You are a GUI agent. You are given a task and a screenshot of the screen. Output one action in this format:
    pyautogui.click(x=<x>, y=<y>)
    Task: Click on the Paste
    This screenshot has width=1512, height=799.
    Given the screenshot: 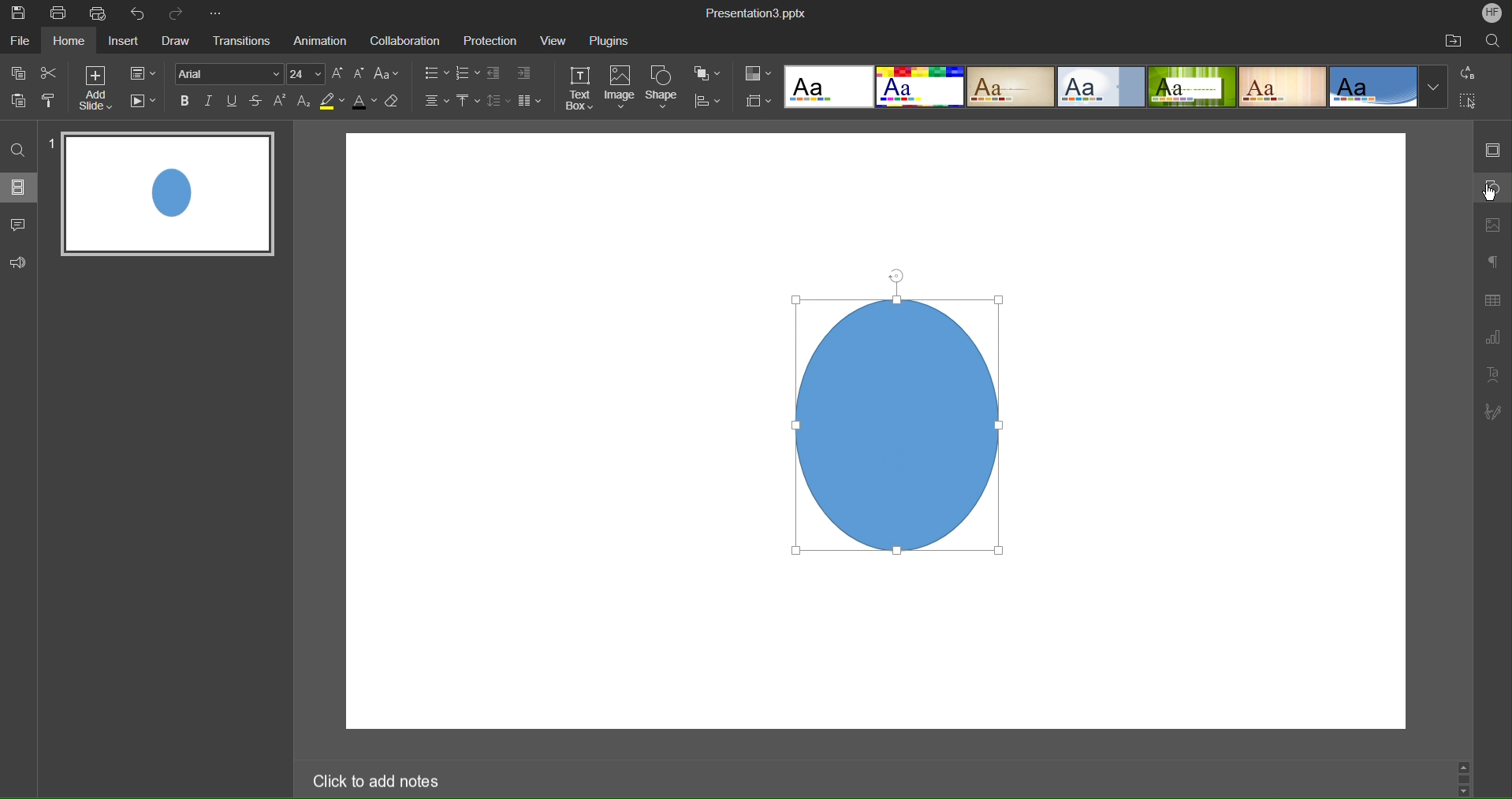 What is the action you would take?
    pyautogui.click(x=20, y=101)
    